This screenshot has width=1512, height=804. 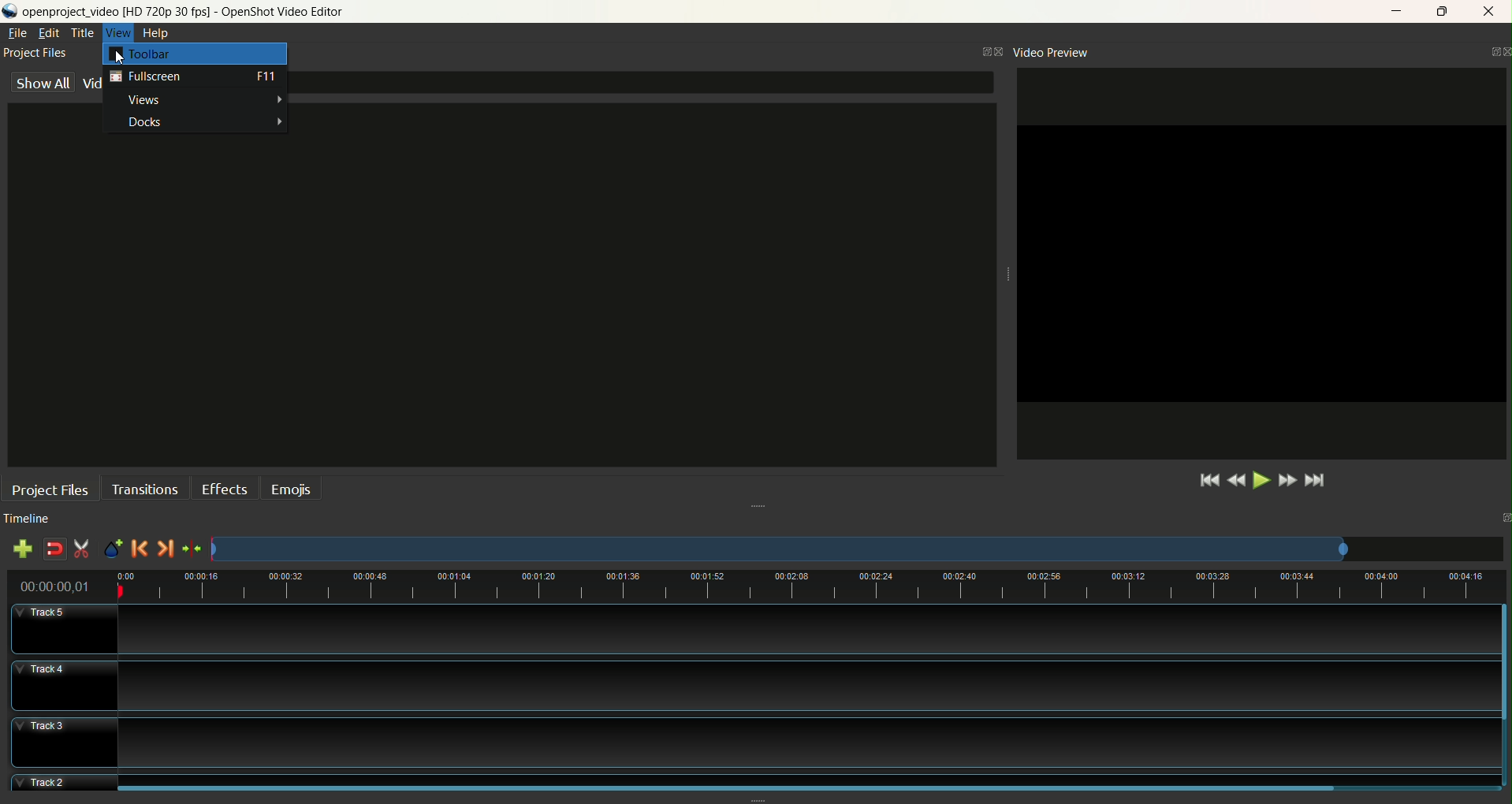 I want to click on view, so click(x=119, y=32).